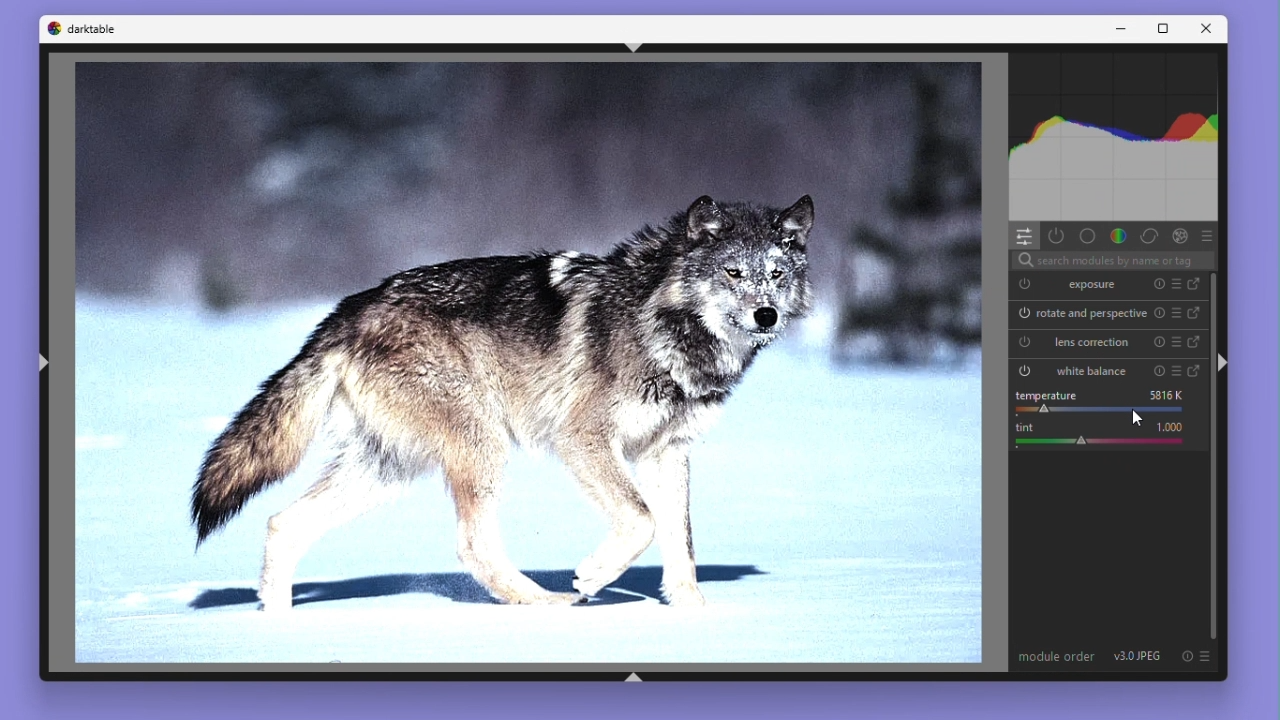 The width and height of the screenshot is (1280, 720). Describe the element at coordinates (1107, 434) in the screenshot. I see `T i n t` at that location.